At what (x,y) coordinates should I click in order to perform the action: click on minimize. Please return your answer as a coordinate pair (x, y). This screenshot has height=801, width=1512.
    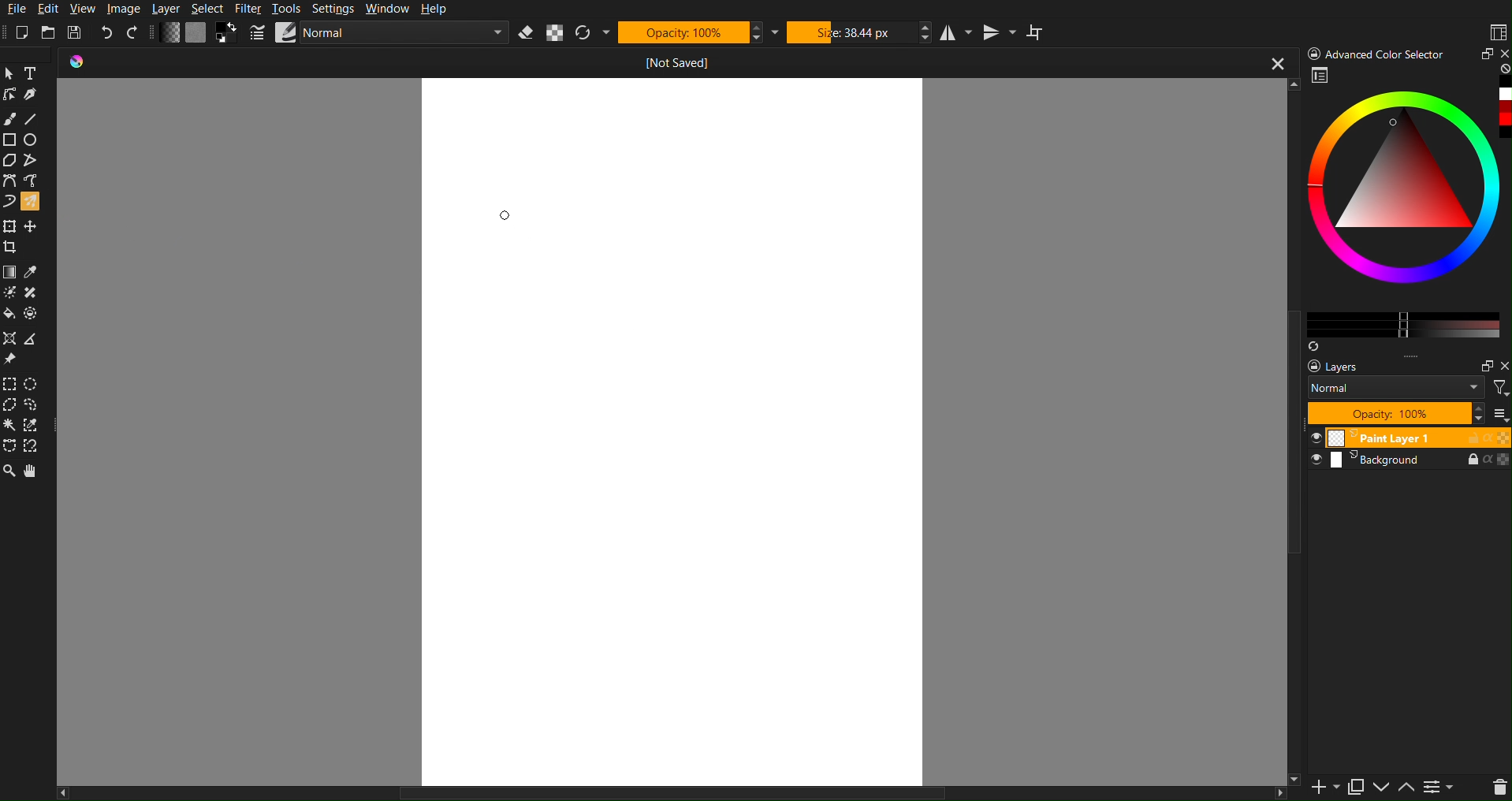
    Looking at the image, I should click on (1481, 363).